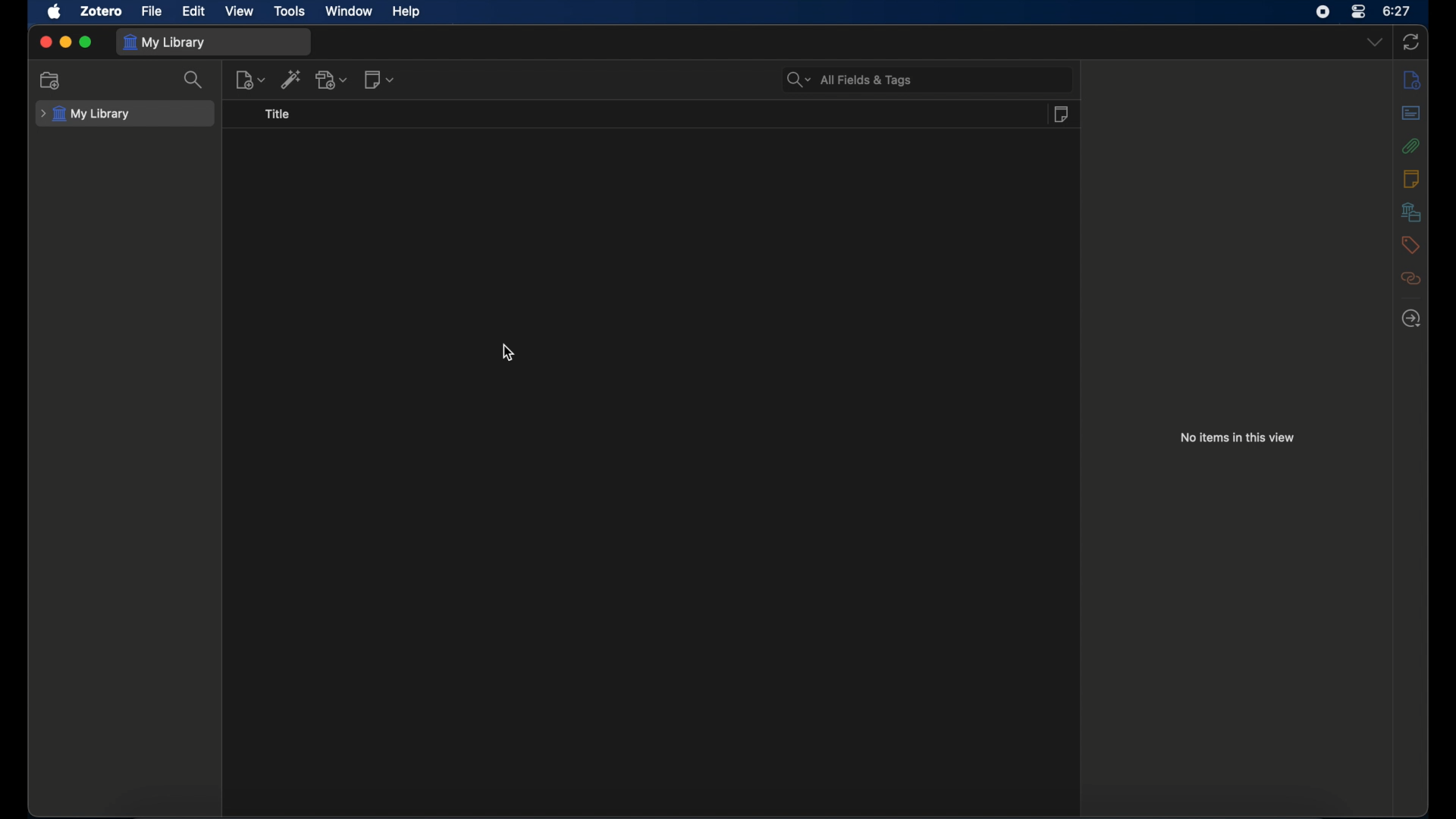 The height and width of the screenshot is (819, 1456). What do you see at coordinates (1359, 12) in the screenshot?
I see `control center` at bounding box center [1359, 12].